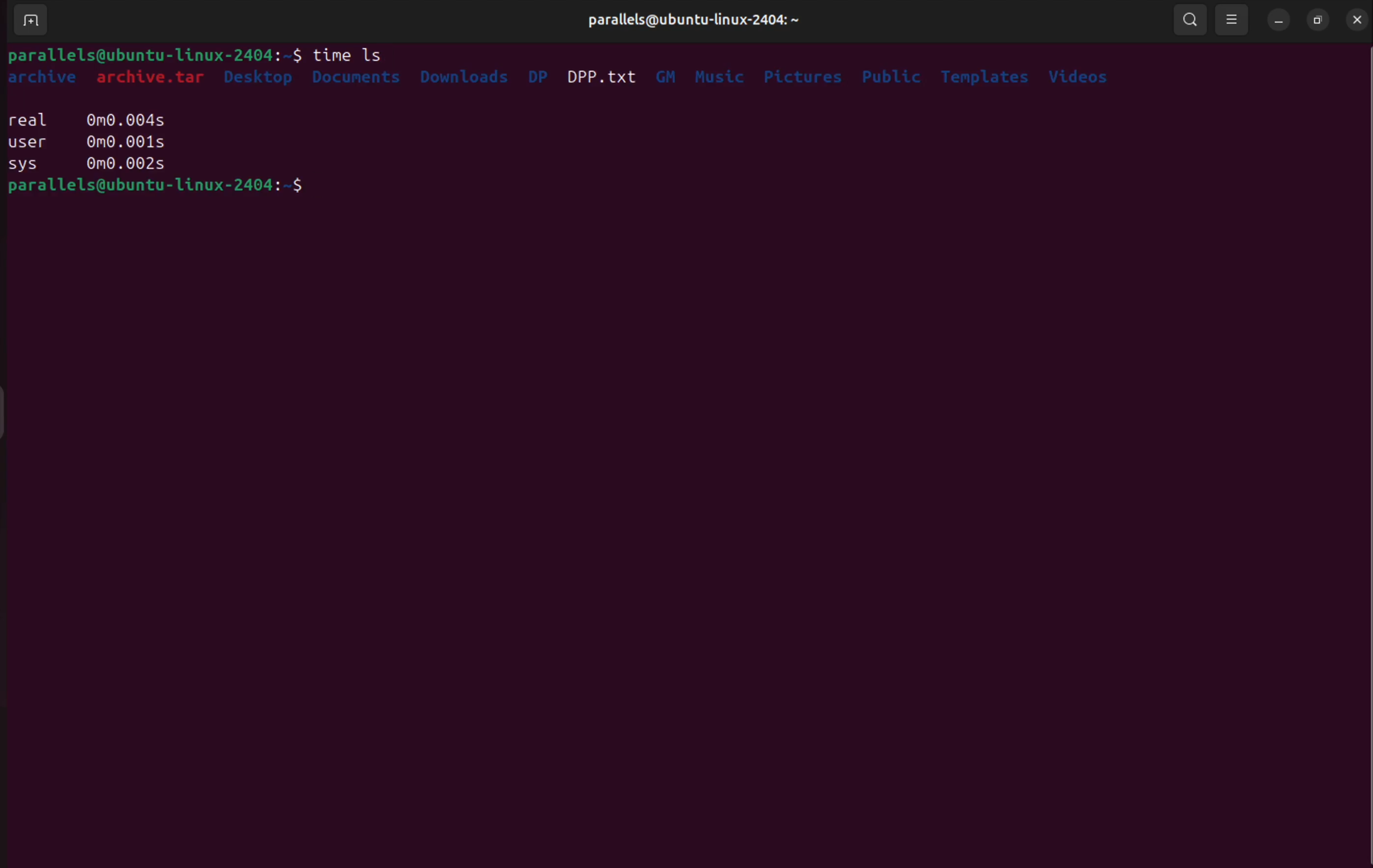 The height and width of the screenshot is (868, 1373). I want to click on Templates, so click(987, 76).